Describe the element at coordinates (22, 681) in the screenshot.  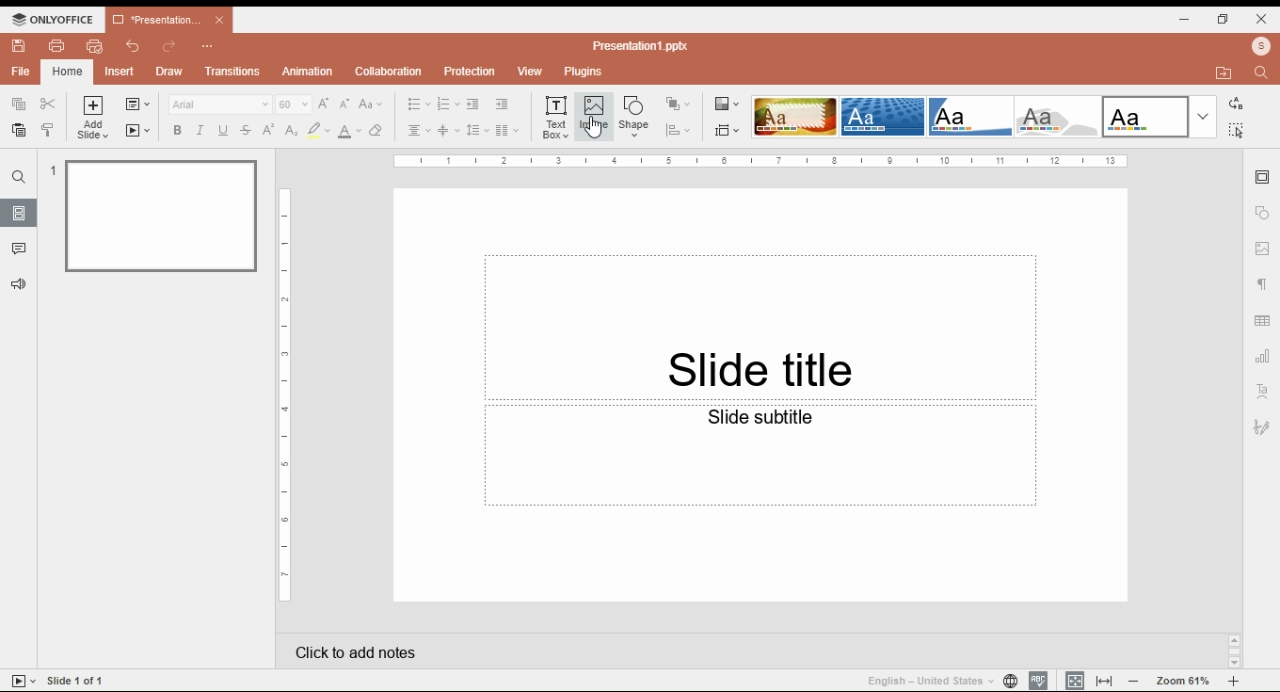
I see `start slideshow` at that location.